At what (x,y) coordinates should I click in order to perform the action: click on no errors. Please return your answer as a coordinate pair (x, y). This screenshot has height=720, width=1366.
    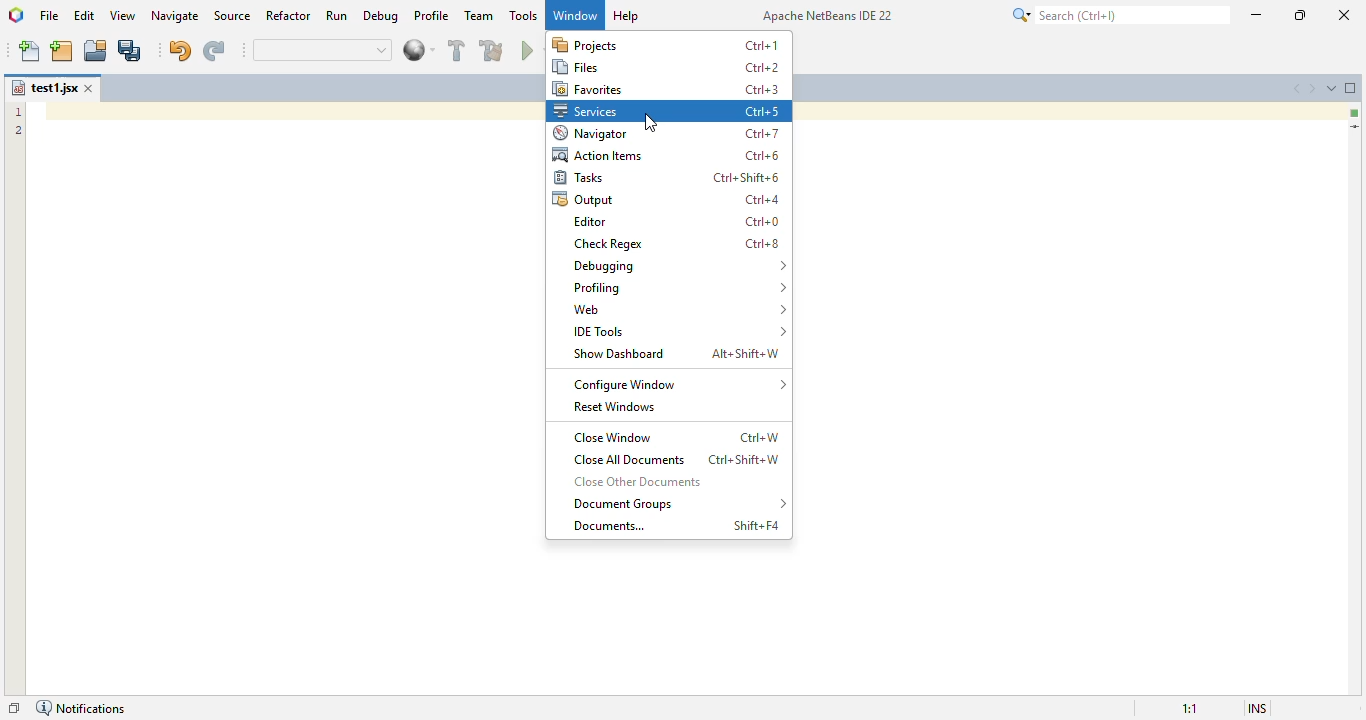
    Looking at the image, I should click on (1354, 113).